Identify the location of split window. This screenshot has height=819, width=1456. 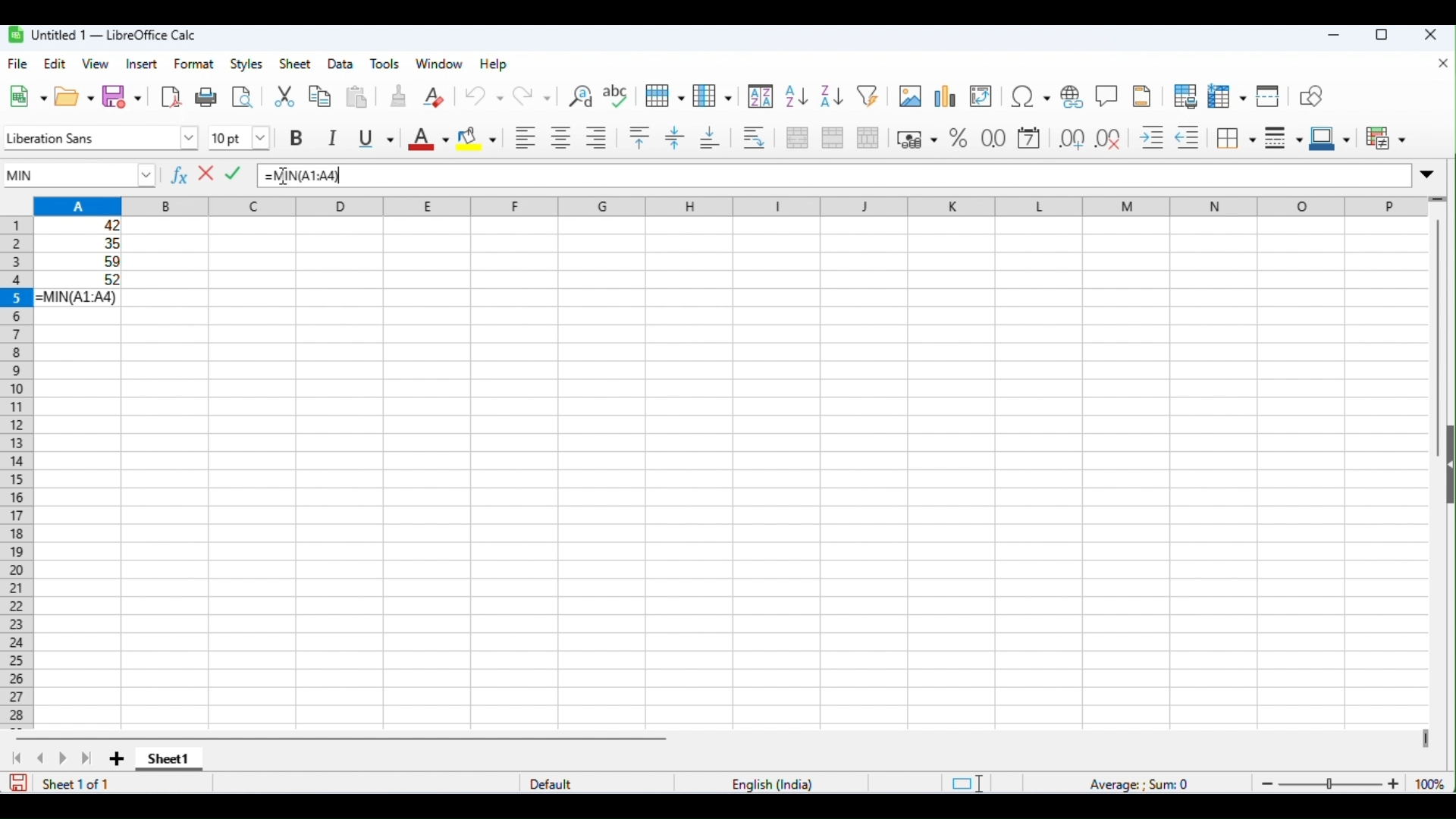
(1269, 96).